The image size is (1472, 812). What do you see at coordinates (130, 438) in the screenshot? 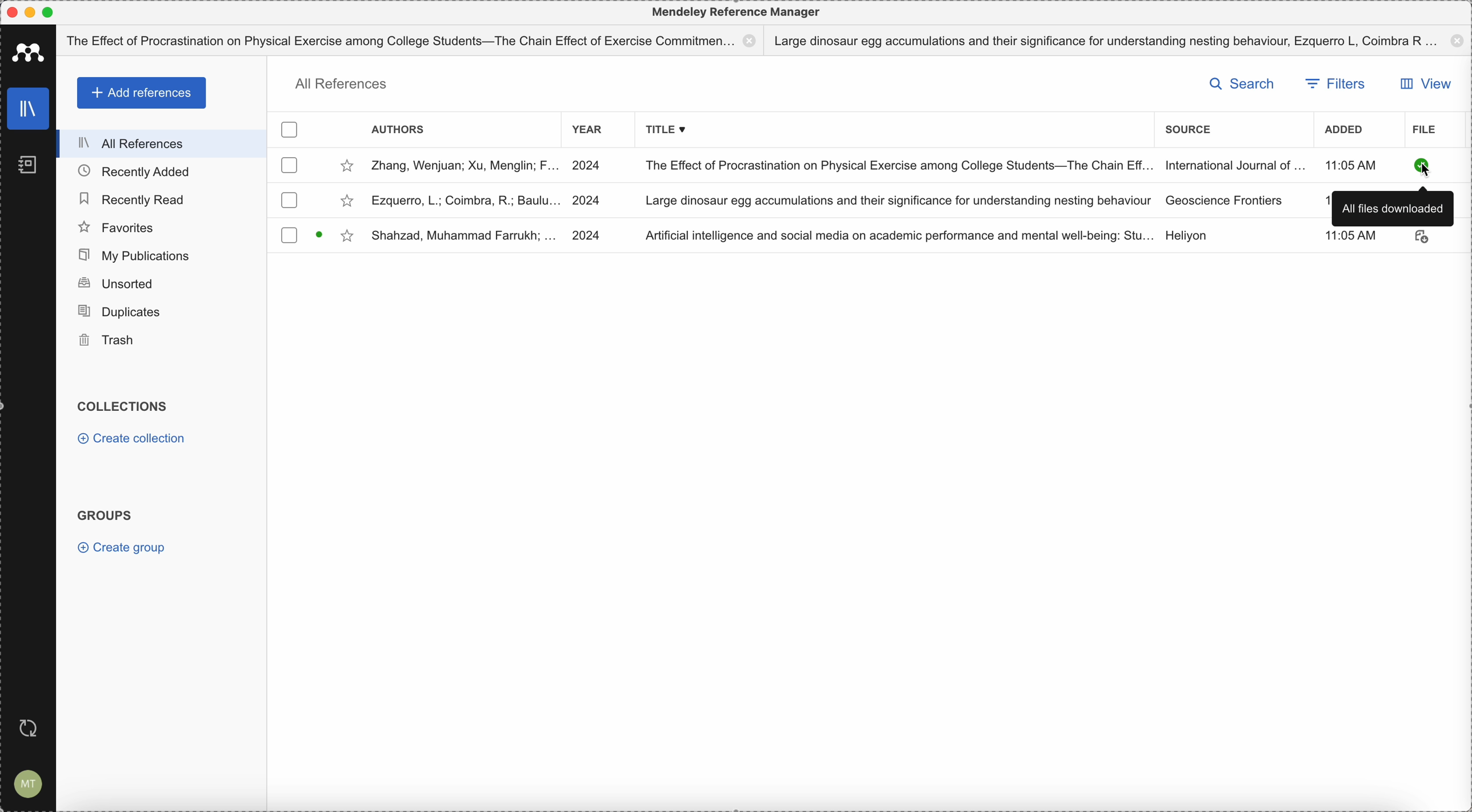
I see `create collection` at bounding box center [130, 438].